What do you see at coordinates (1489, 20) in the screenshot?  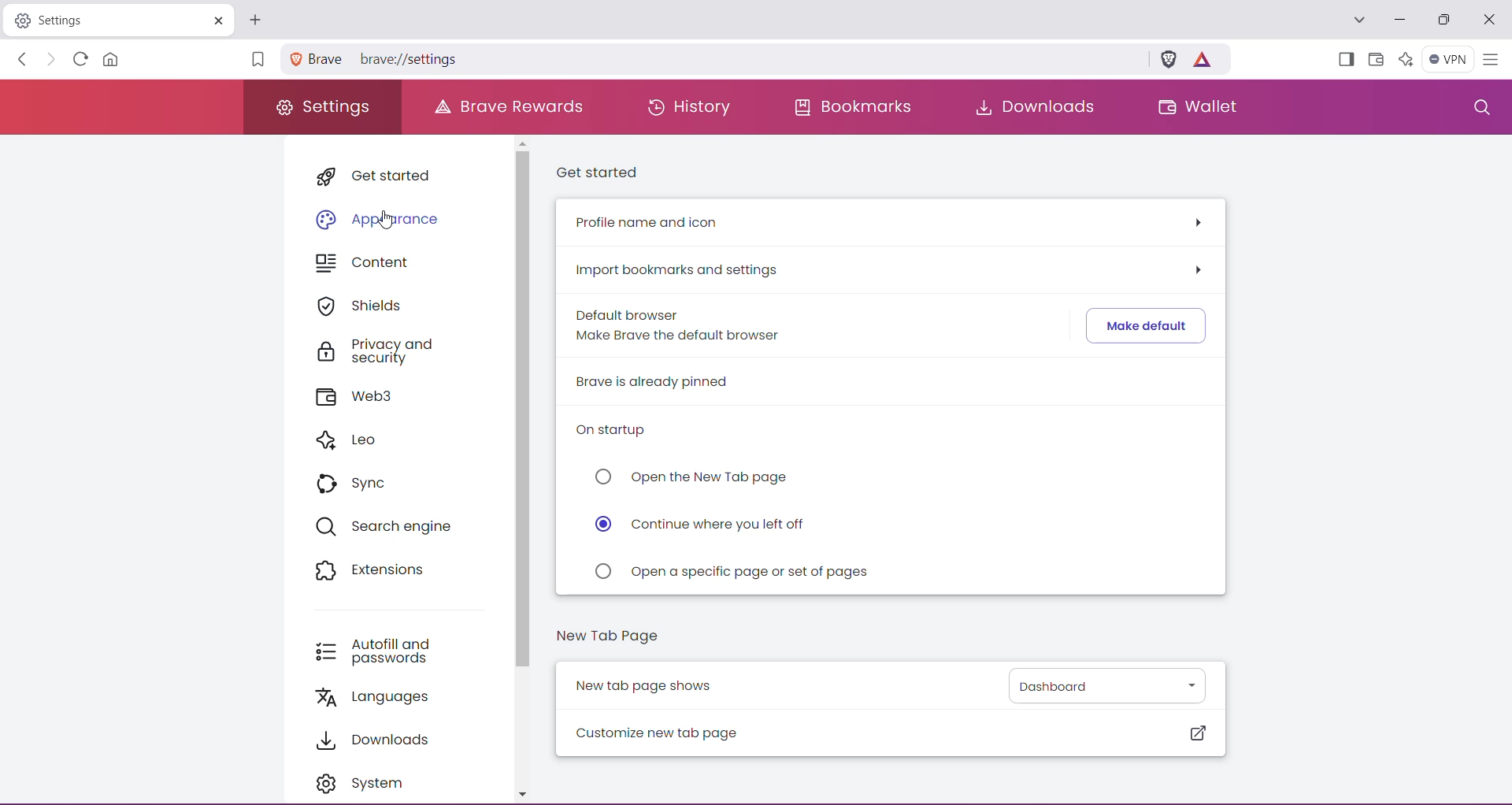 I see `Close` at bounding box center [1489, 20].